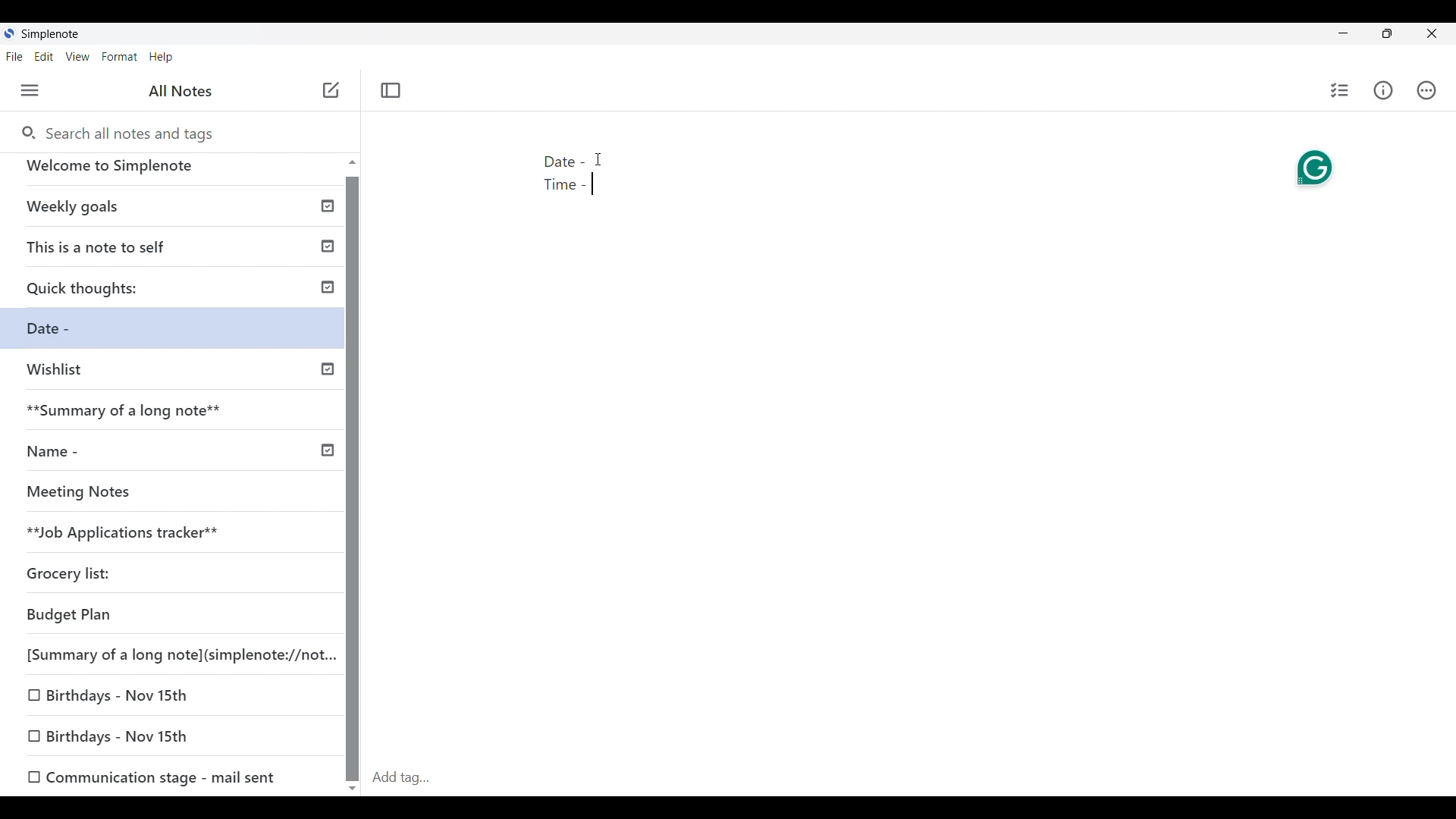  I want to click on Add note, so click(332, 90).